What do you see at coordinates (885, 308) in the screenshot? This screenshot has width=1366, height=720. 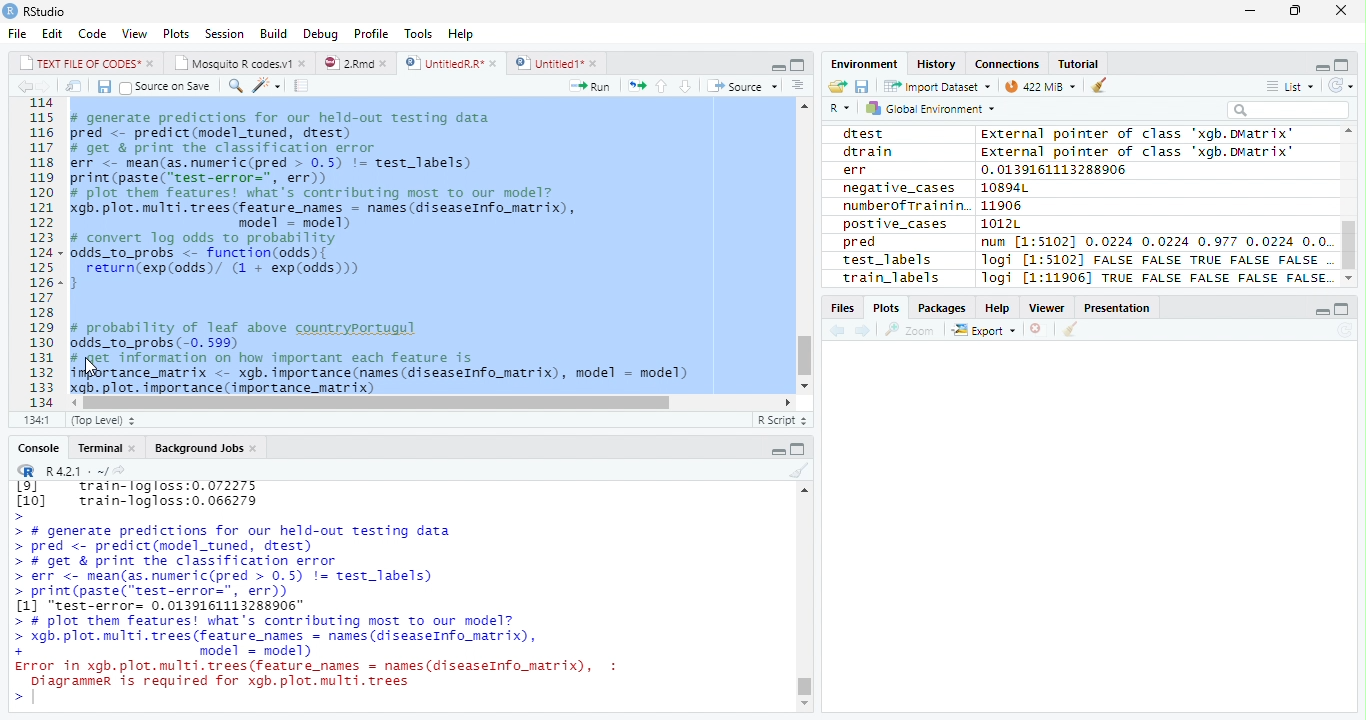 I see `Plots` at bounding box center [885, 308].